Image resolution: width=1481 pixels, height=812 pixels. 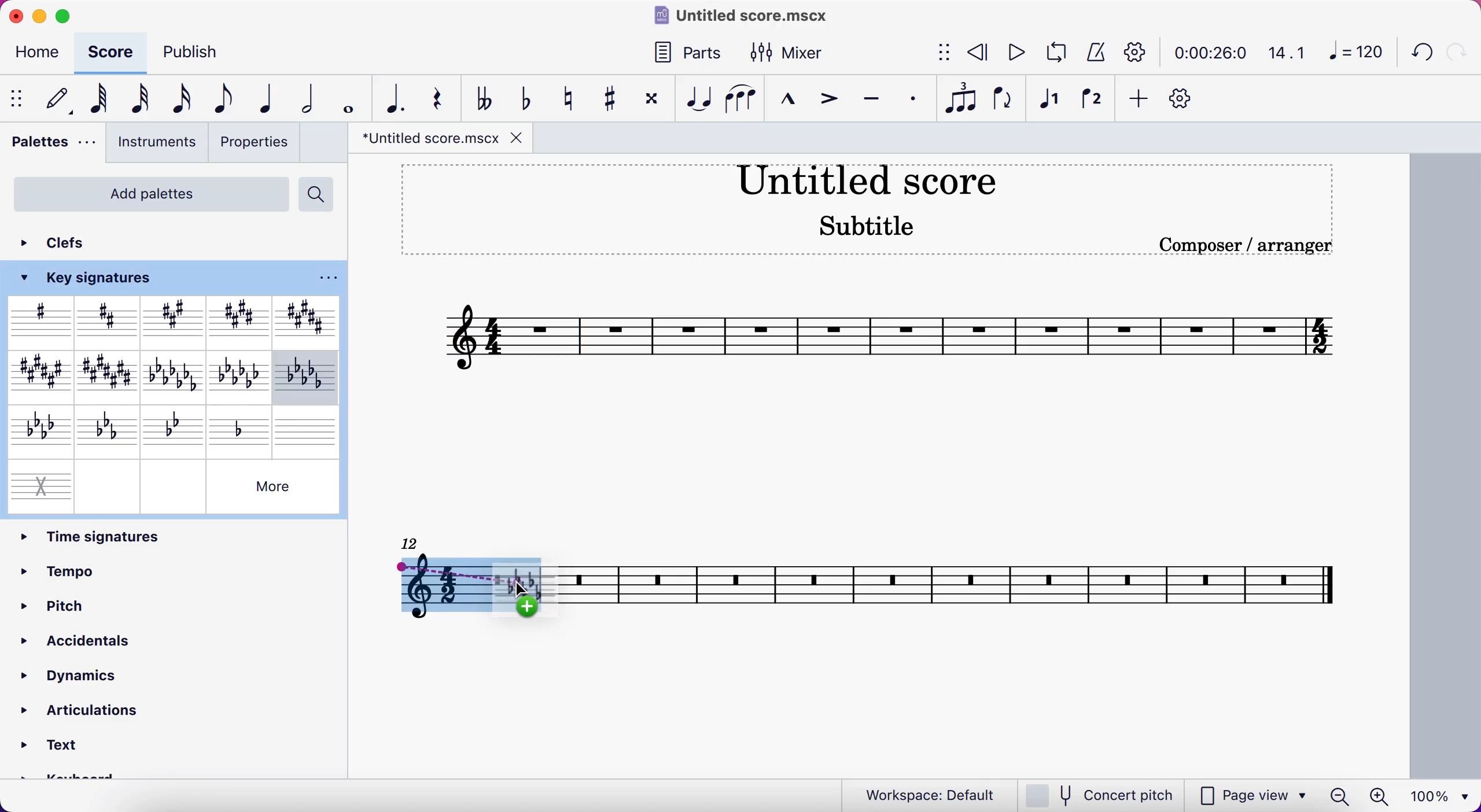 I want to click on 16th note, so click(x=182, y=100).